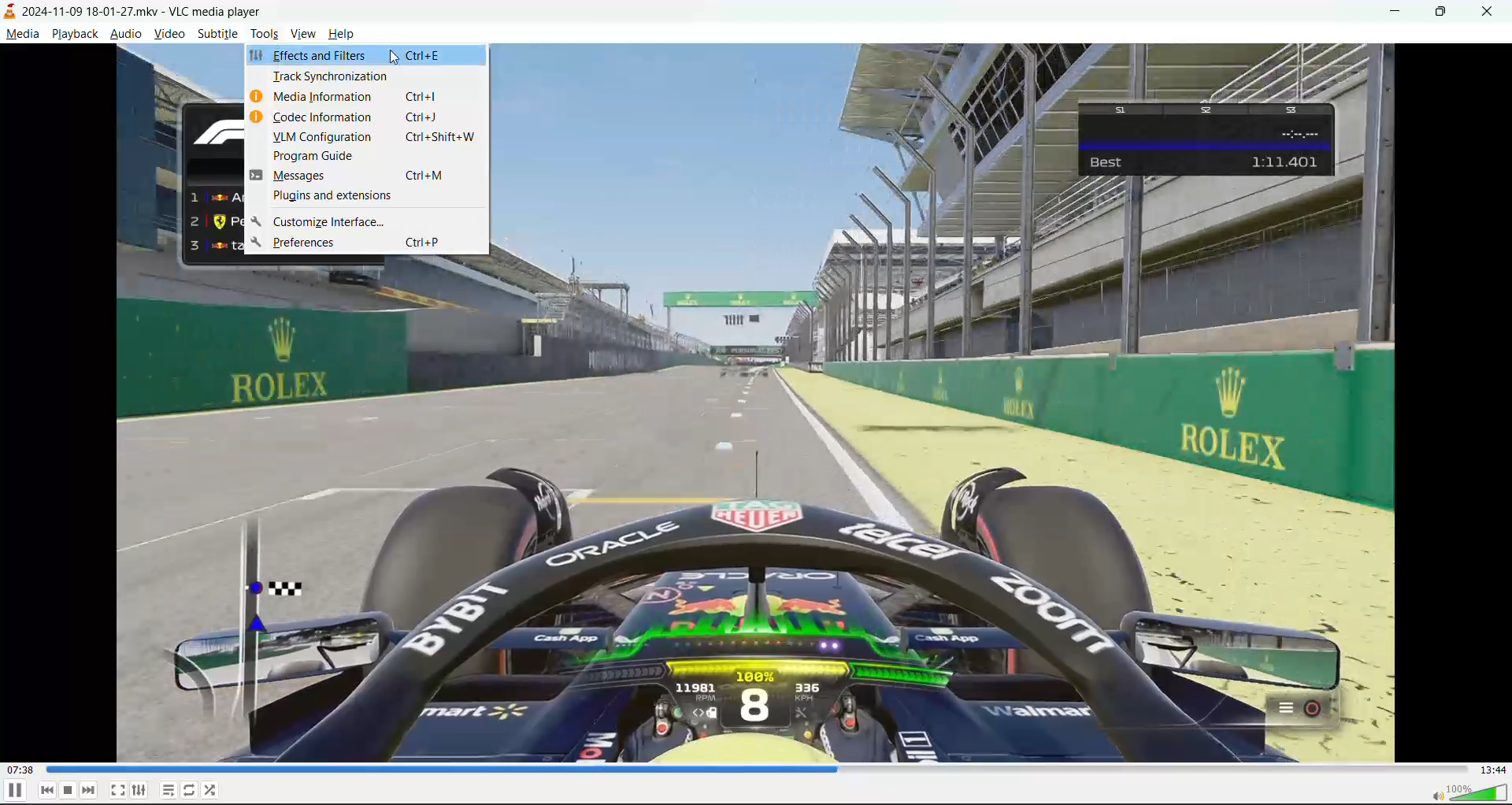 This screenshot has width=1512, height=805. Describe the element at coordinates (257, 176) in the screenshot. I see `icon` at that location.